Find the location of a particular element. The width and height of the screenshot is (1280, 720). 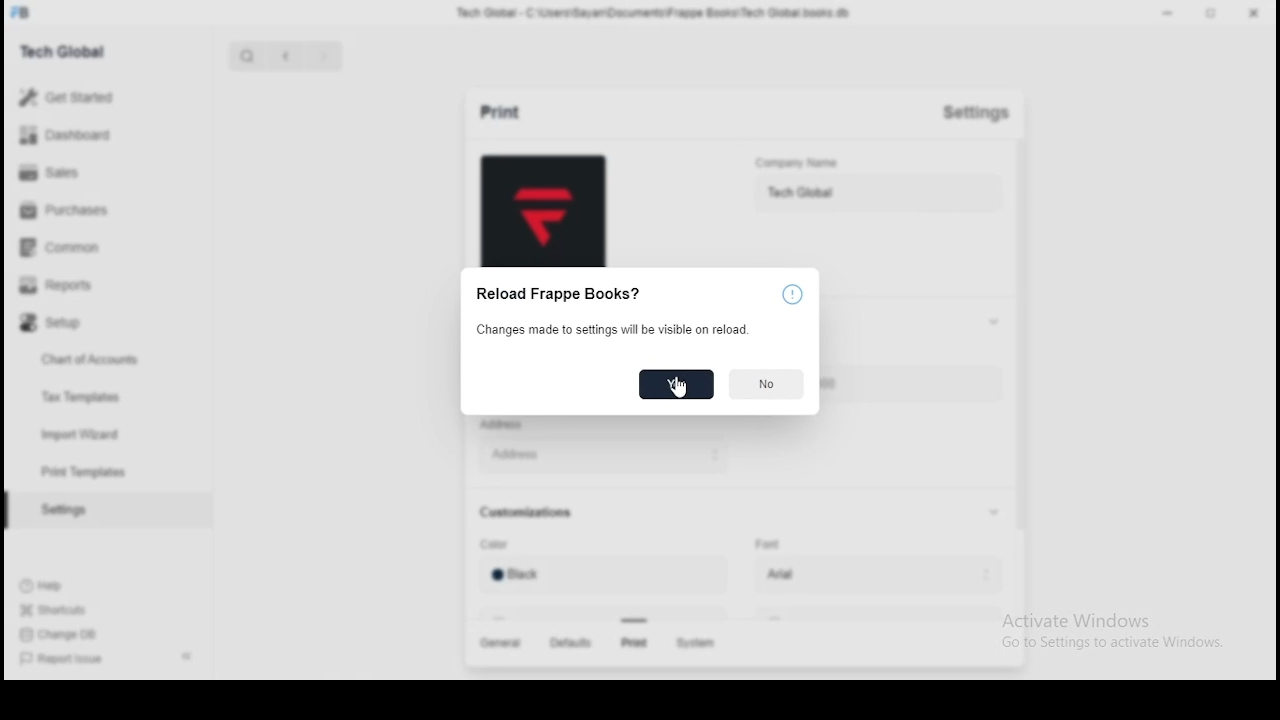

Sales  is located at coordinates (80, 175).